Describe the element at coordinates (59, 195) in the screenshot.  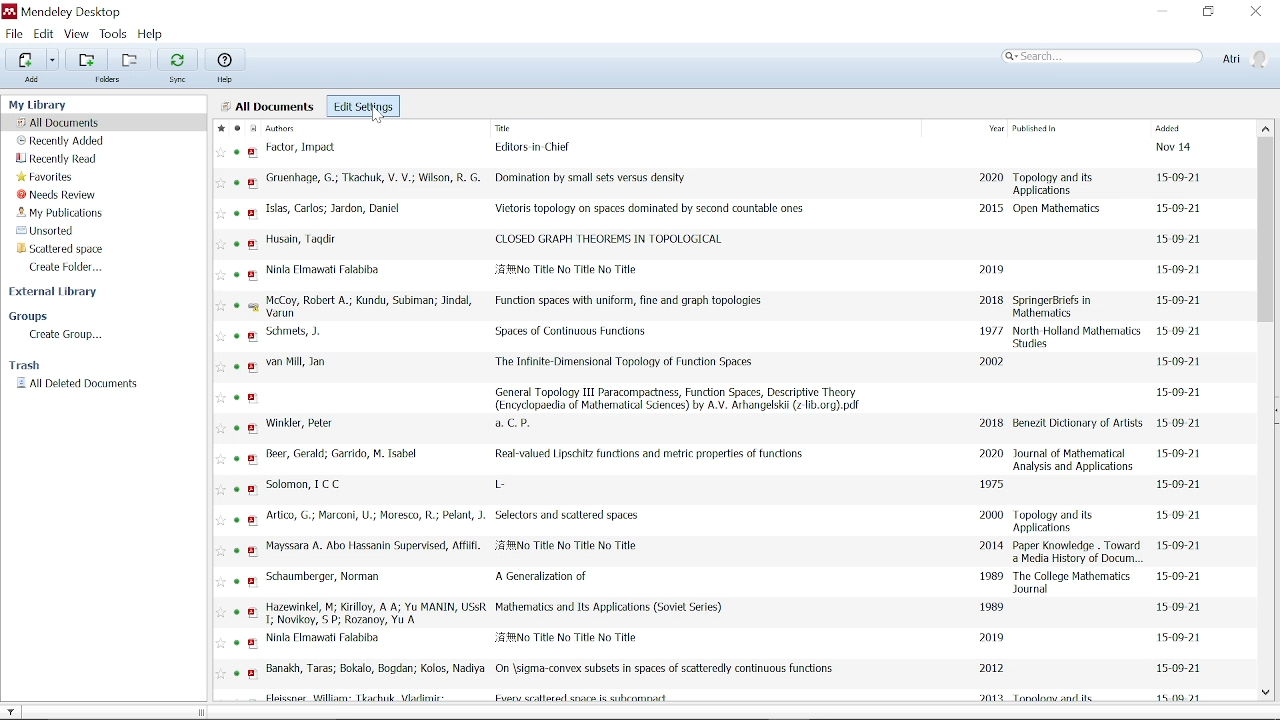
I see `Needs review` at that location.